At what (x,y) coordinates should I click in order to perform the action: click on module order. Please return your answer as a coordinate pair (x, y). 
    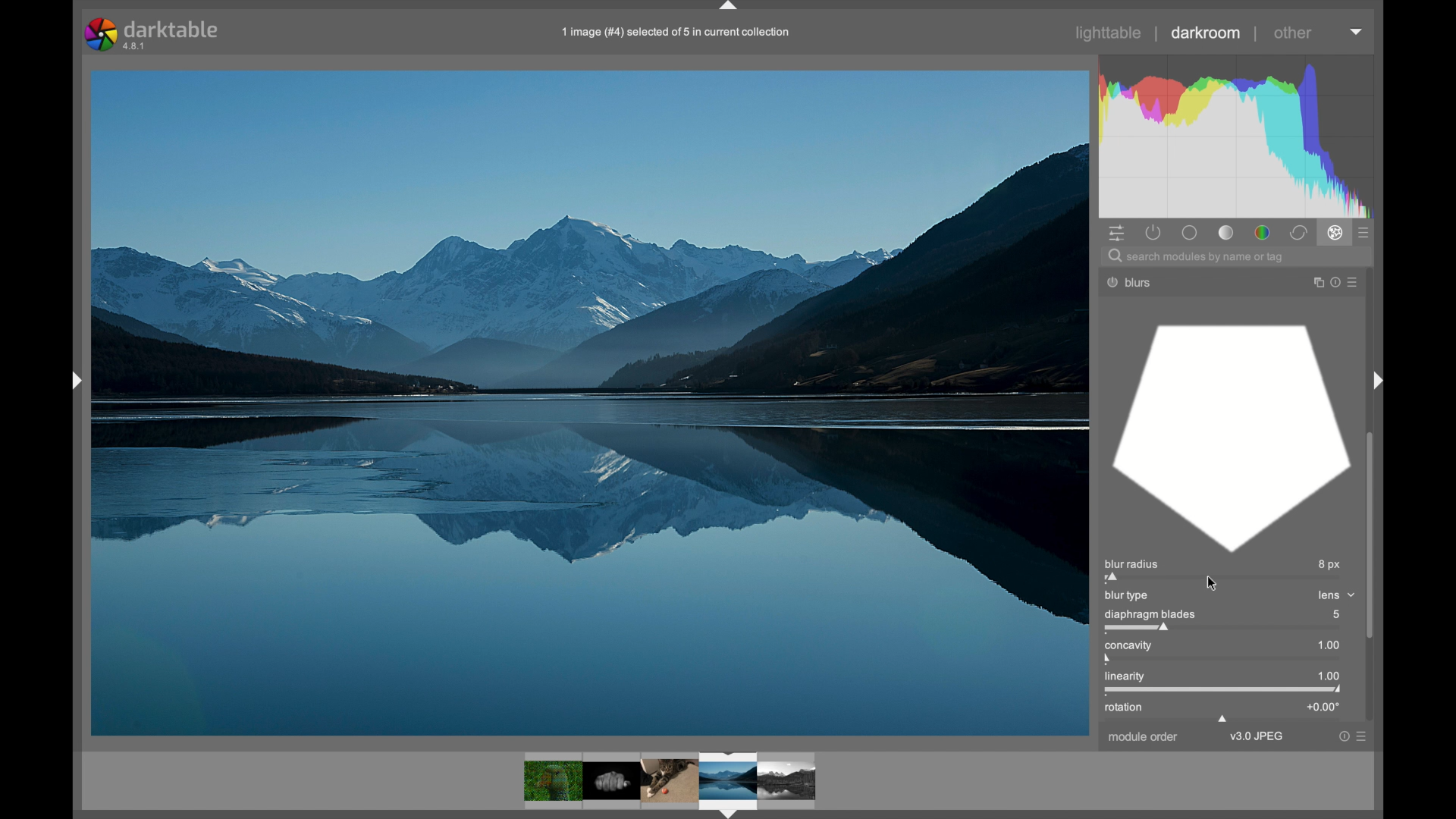
    Looking at the image, I should click on (1142, 737).